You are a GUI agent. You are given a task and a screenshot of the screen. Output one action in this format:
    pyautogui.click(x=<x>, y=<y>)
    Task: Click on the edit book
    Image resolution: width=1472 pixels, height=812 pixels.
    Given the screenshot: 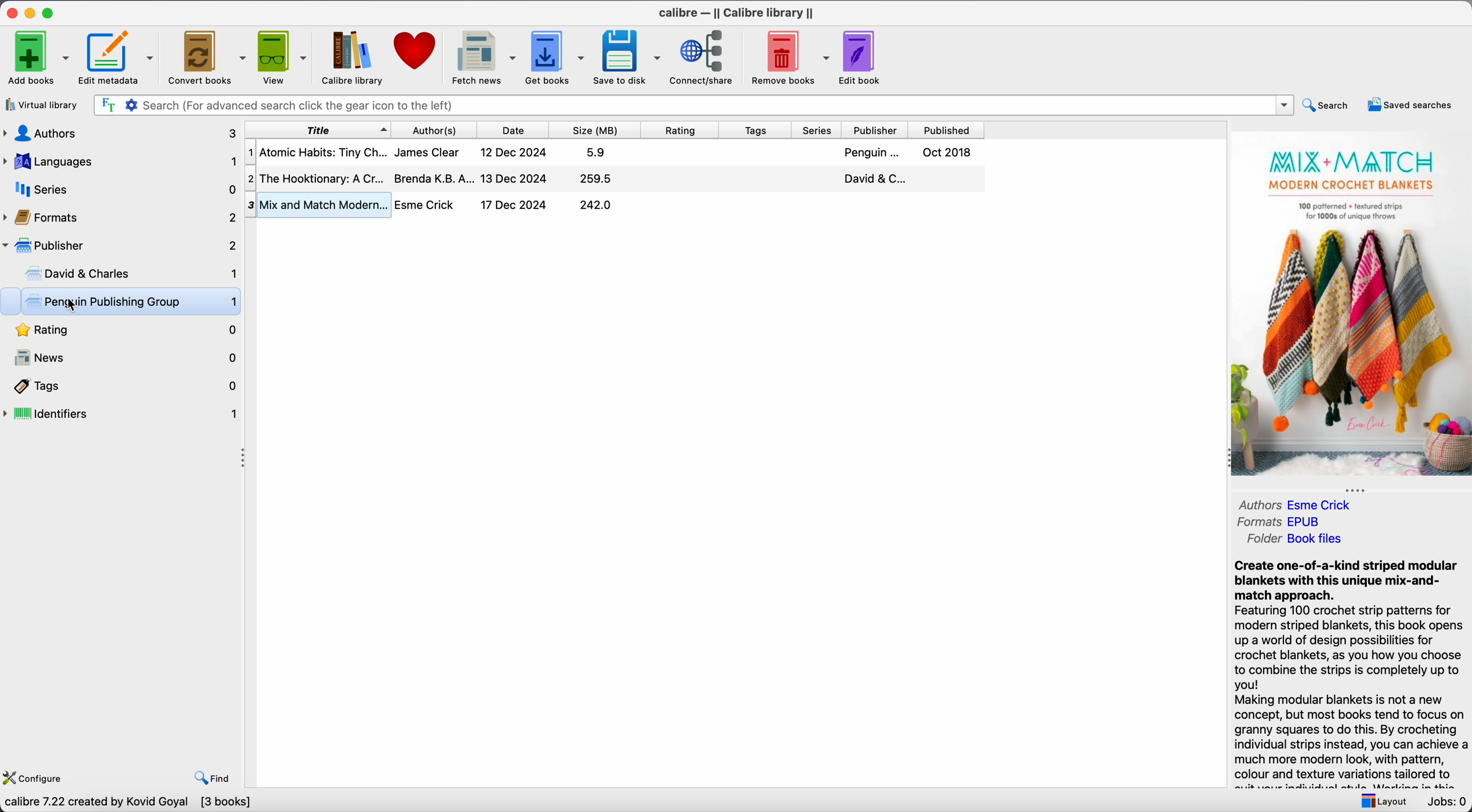 What is the action you would take?
    pyautogui.click(x=864, y=57)
    